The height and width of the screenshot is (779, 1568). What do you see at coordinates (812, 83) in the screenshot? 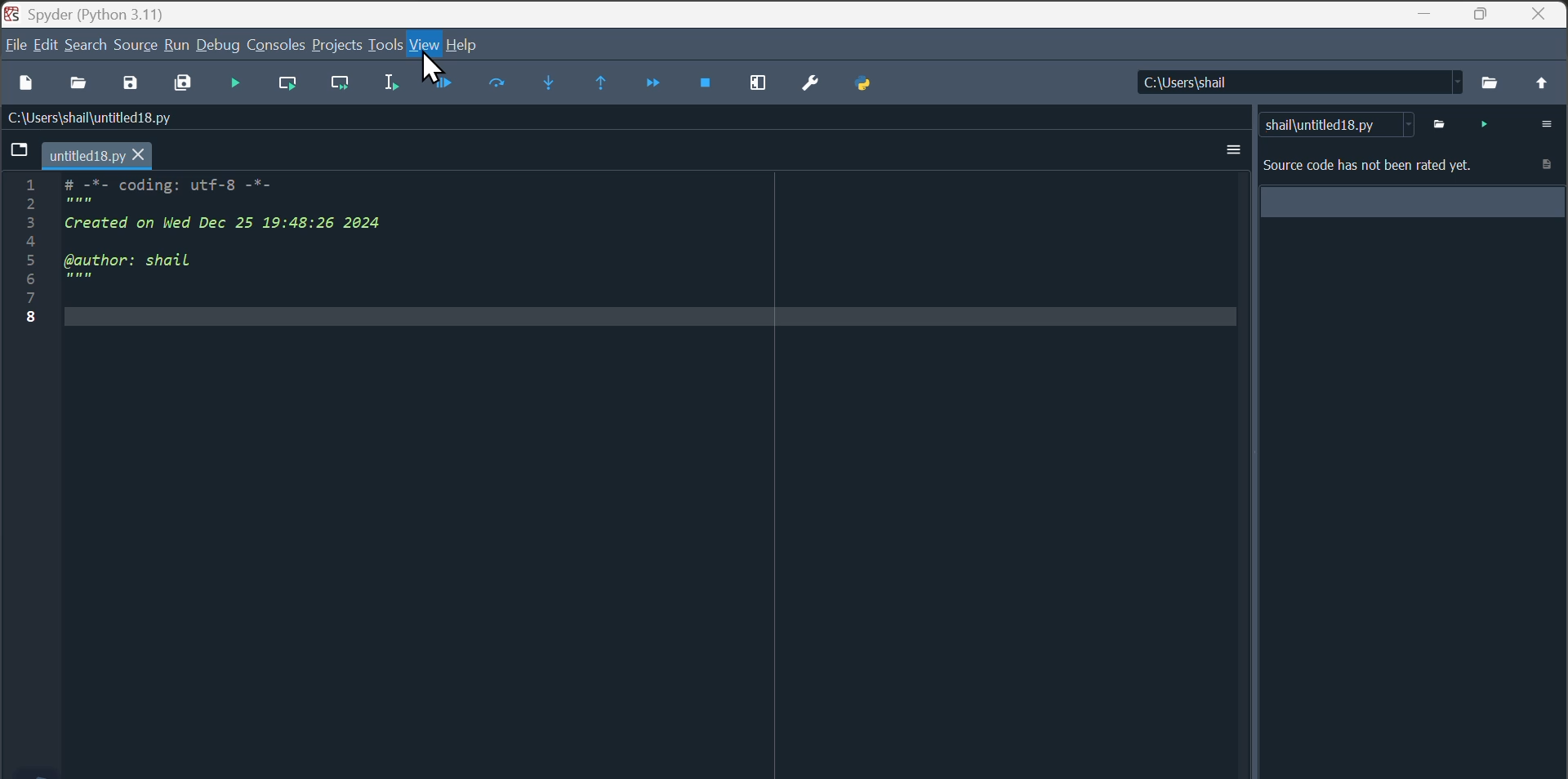
I see `Preferences` at bounding box center [812, 83].